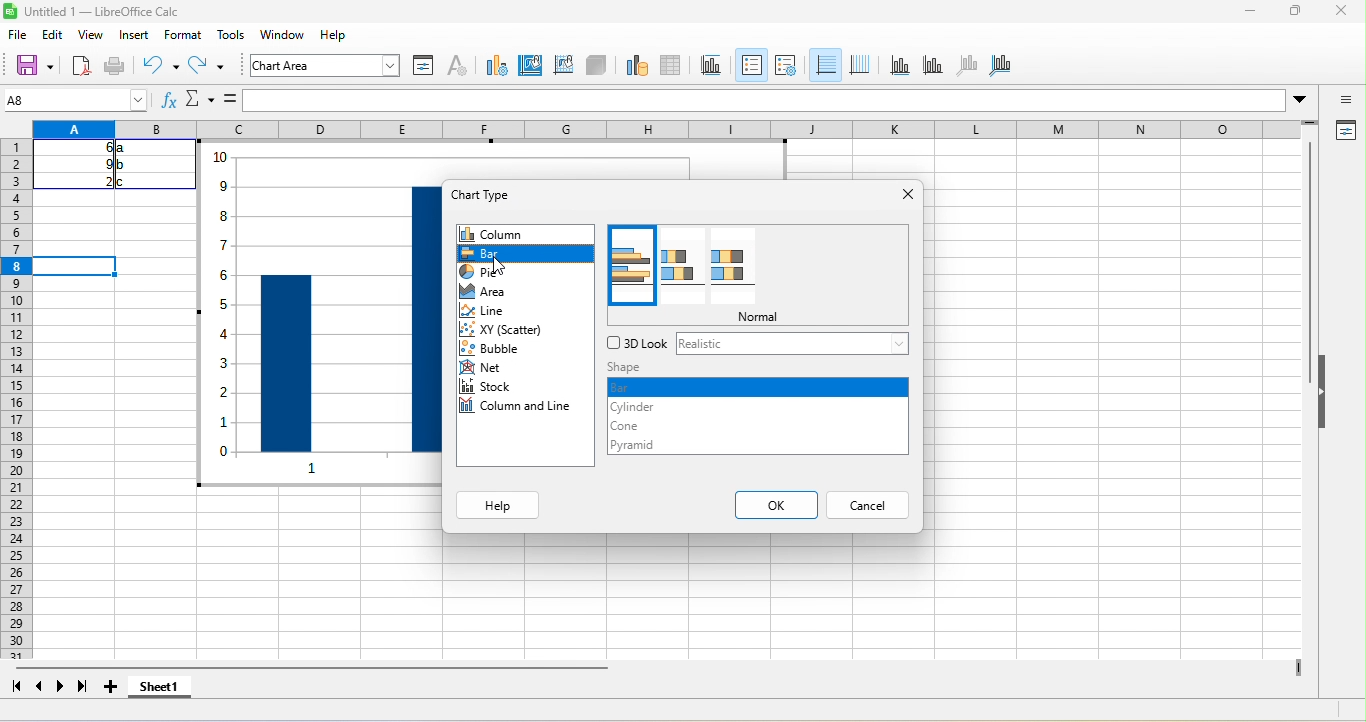 The height and width of the screenshot is (722, 1366). Describe the element at coordinates (491, 276) in the screenshot. I see `pie` at that location.